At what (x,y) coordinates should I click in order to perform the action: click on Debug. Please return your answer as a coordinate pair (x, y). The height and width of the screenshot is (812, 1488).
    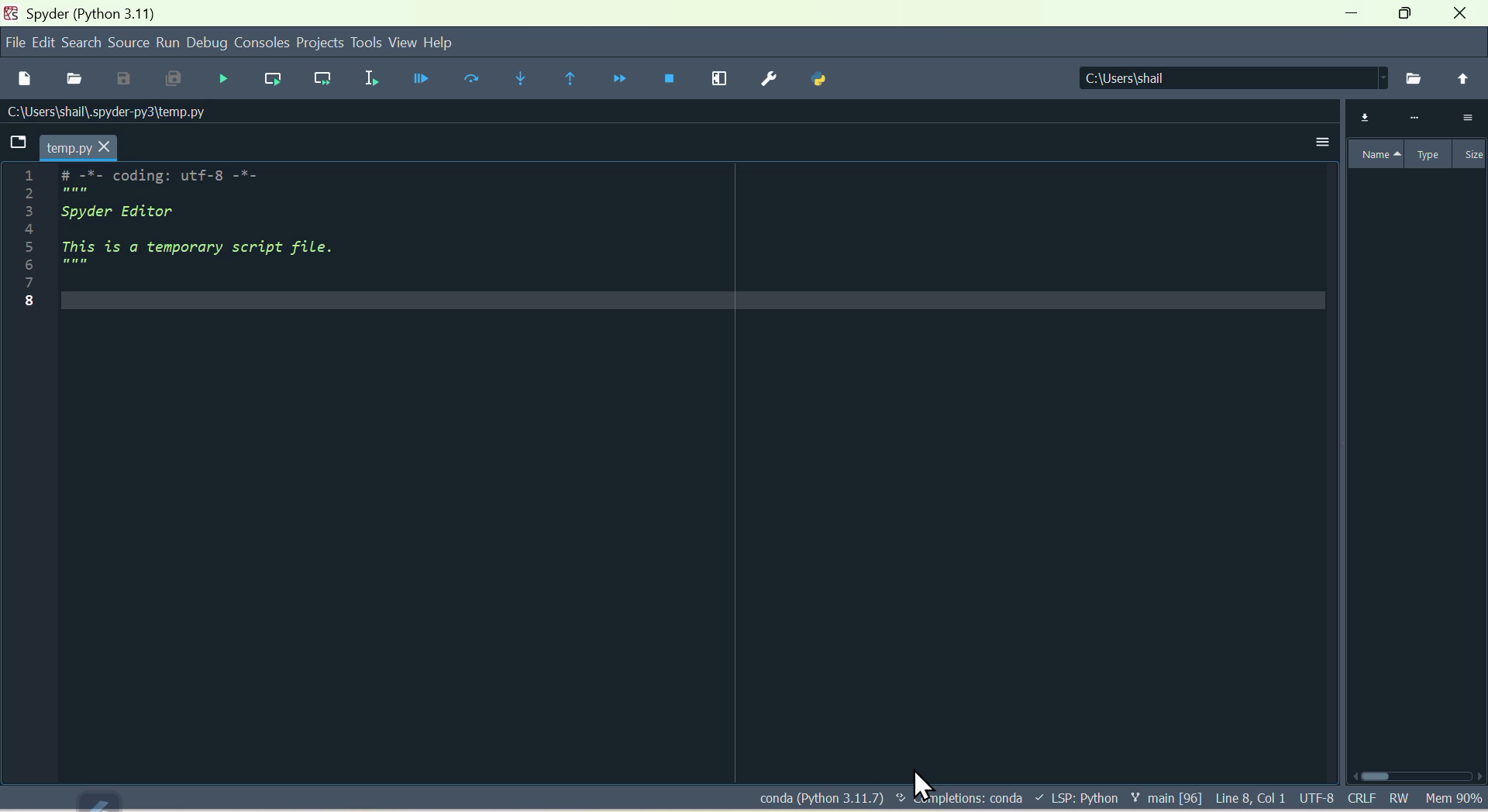
    Looking at the image, I should click on (205, 43).